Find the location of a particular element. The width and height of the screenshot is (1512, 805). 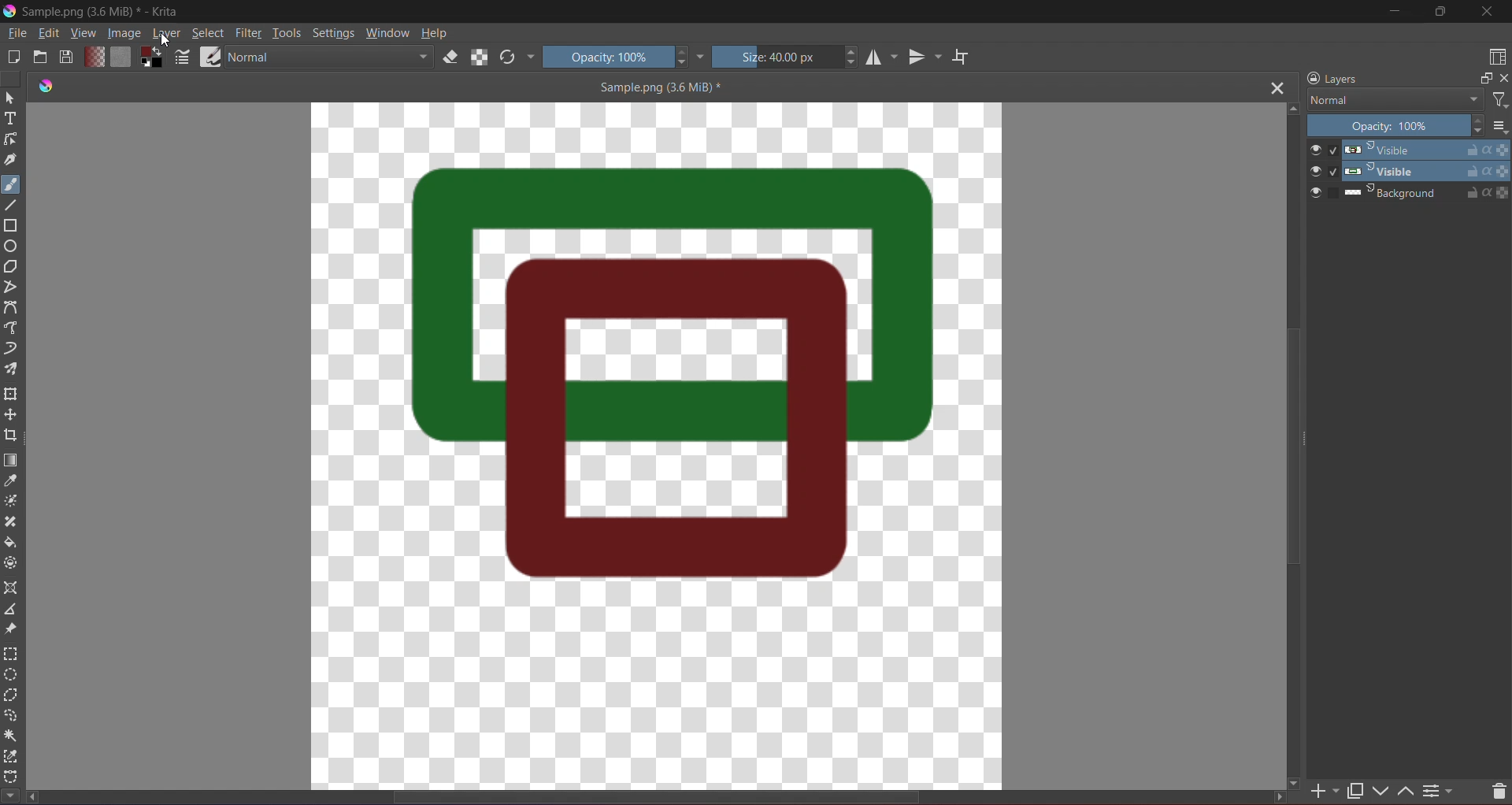

Polygonal Selection is located at coordinates (11, 697).